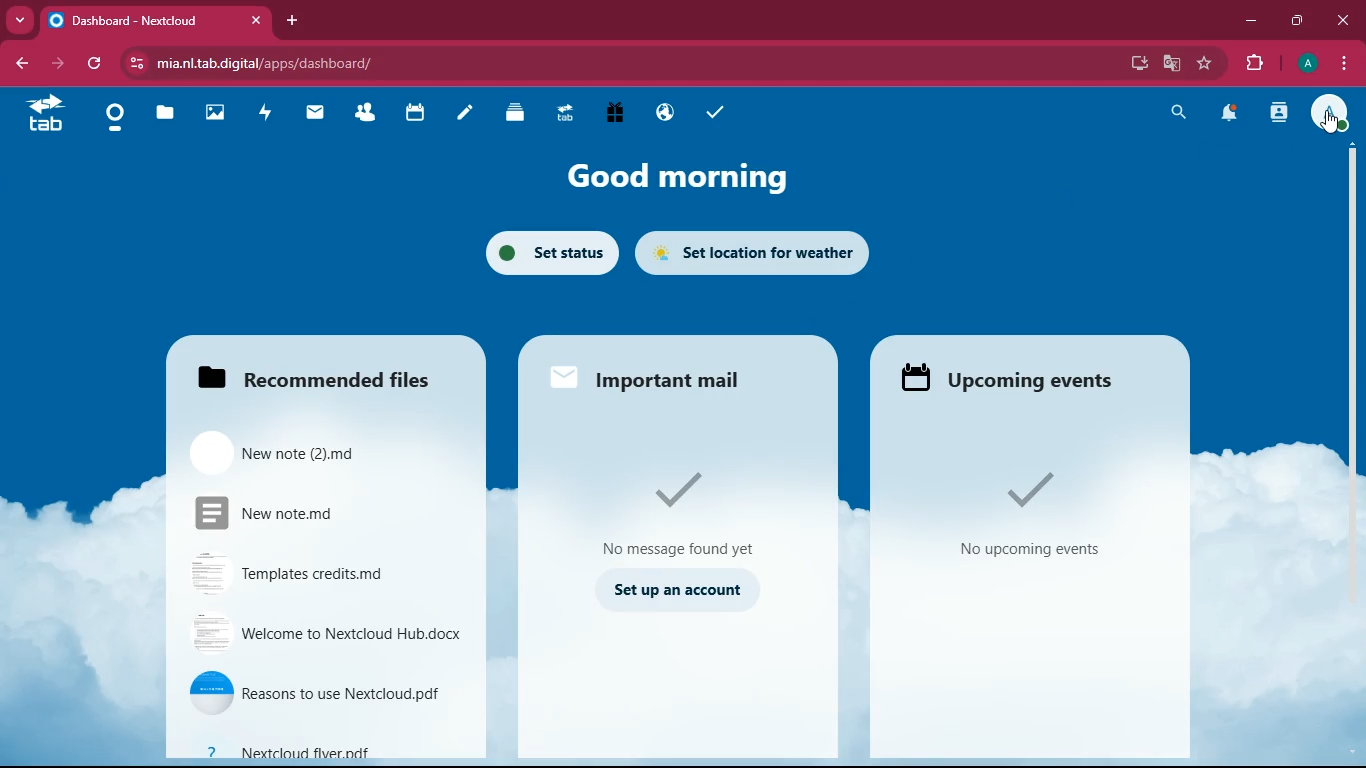 This screenshot has height=768, width=1366. Describe the element at coordinates (1180, 114) in the screenshot. I see `search` at that location.